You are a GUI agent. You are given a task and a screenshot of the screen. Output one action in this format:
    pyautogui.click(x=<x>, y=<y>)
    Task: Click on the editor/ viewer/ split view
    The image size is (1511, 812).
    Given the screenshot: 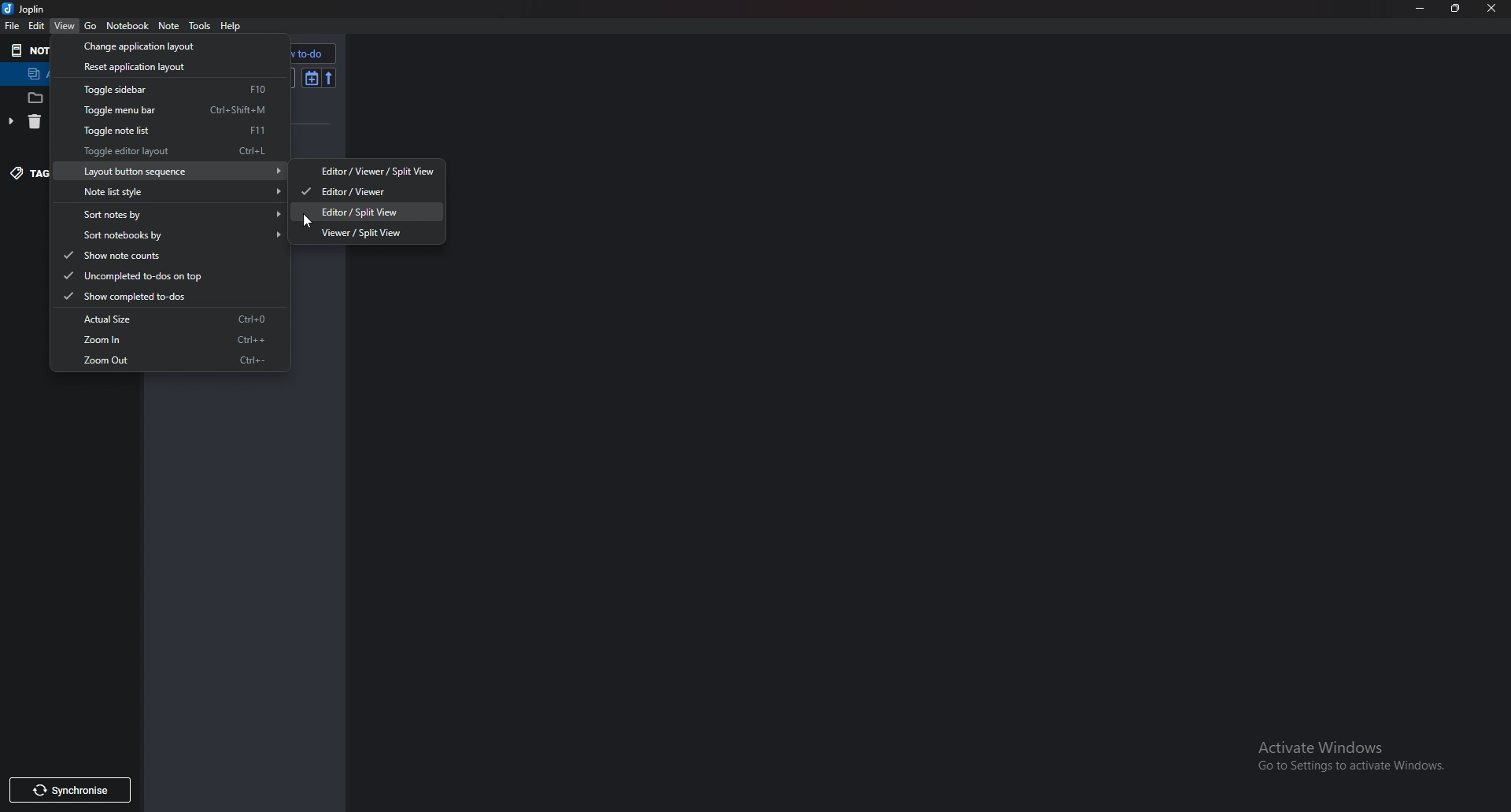 What is the action you would take?
    pyautogui.click(x=370, y=169)
    